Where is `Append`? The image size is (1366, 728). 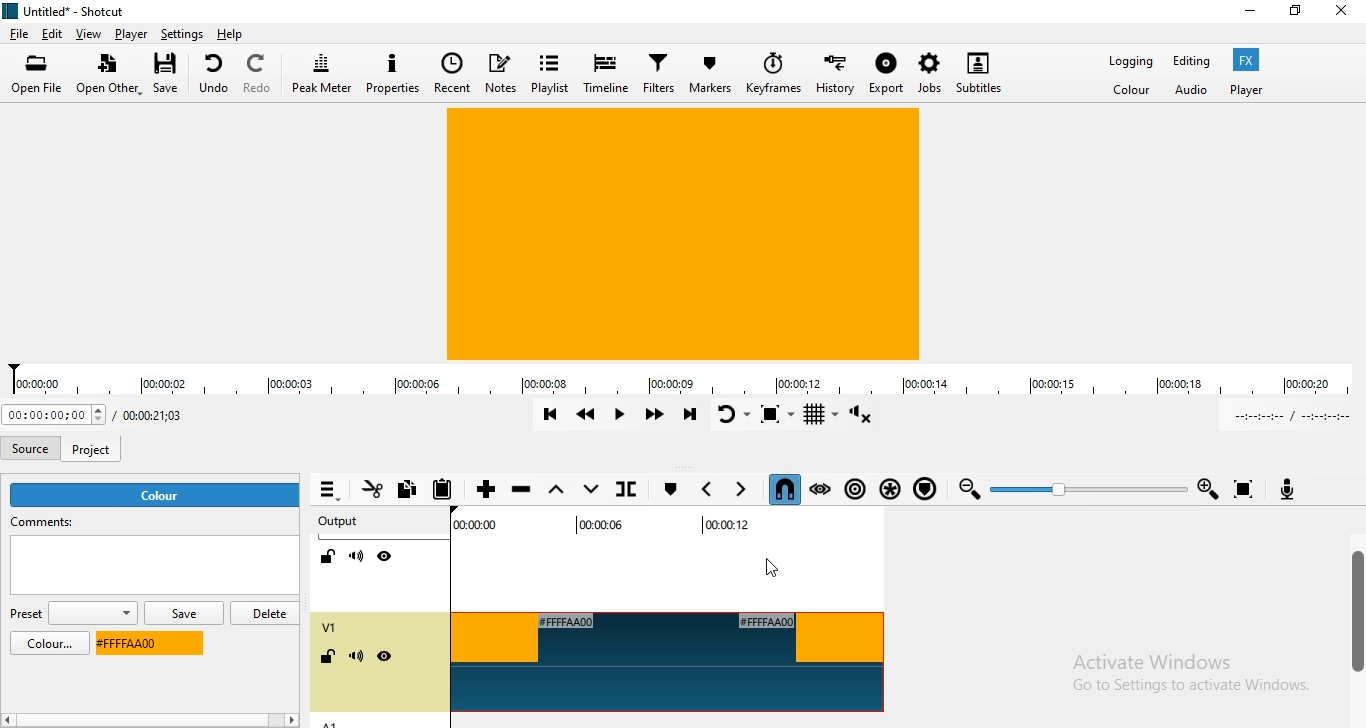 Append is located at coordinates (487, 491).